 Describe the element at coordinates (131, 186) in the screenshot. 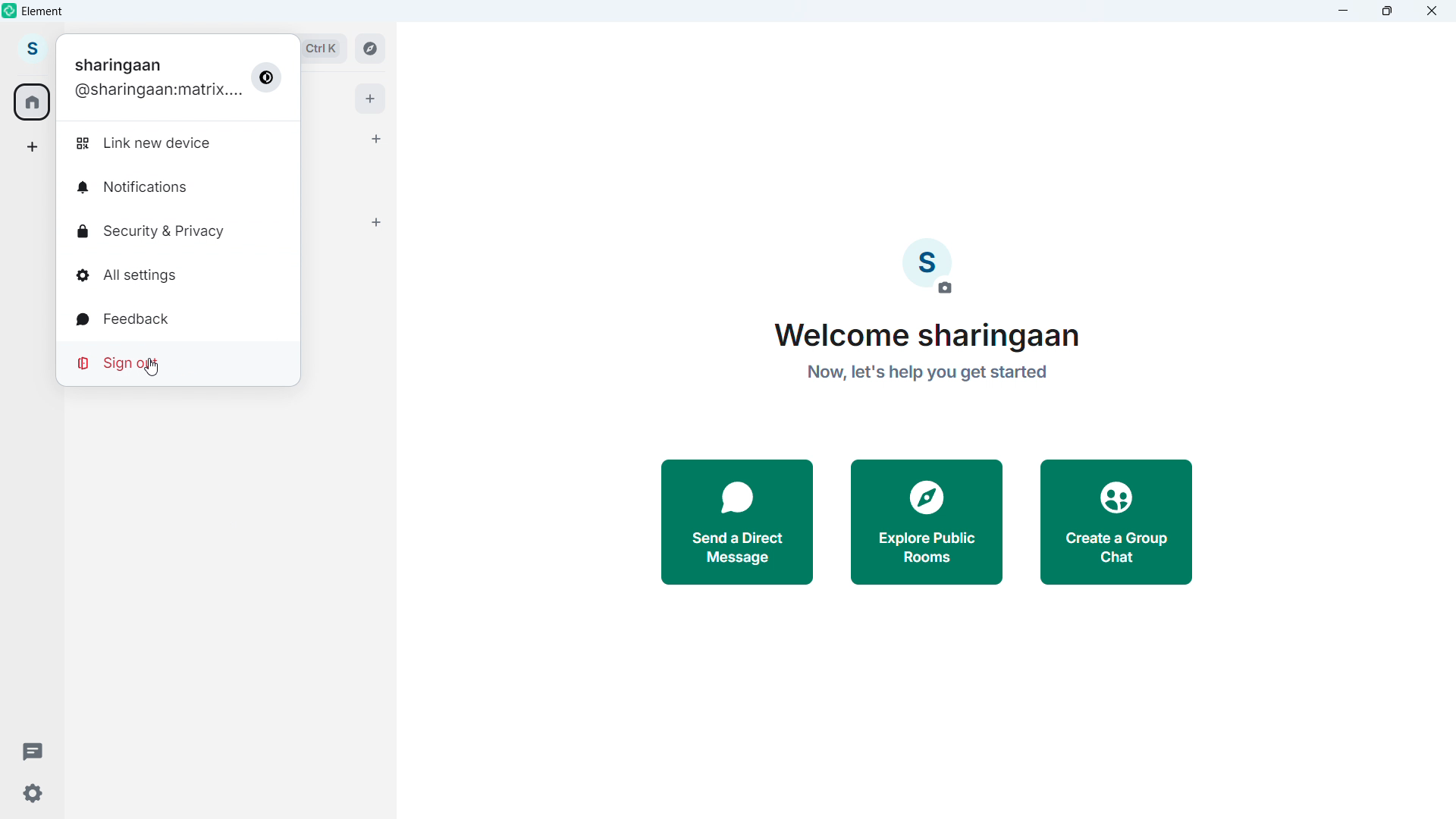

I see `Notifications ` at that location.